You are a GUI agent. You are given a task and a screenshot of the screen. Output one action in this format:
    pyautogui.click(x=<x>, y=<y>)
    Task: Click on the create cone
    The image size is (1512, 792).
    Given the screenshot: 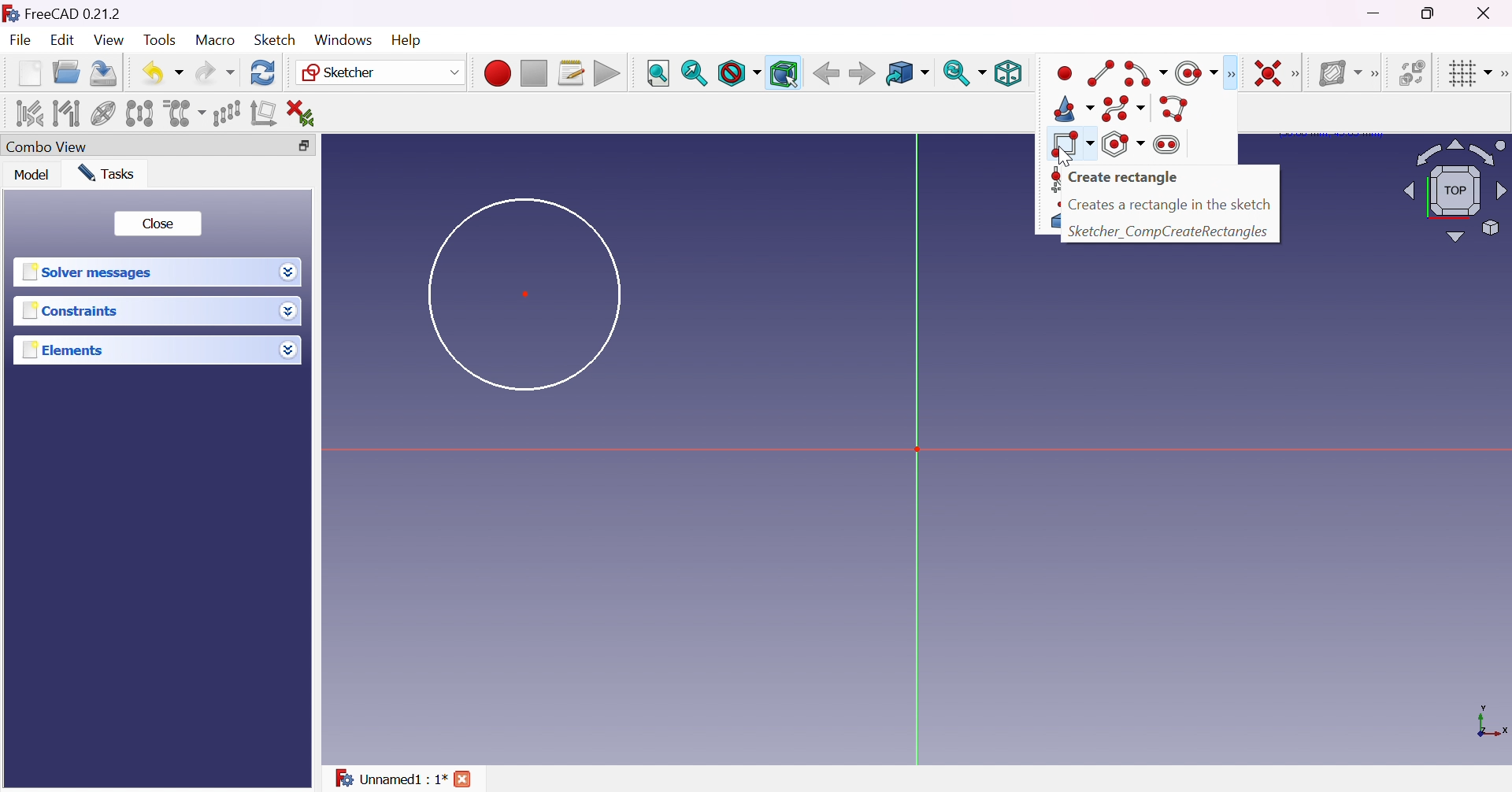 What is the action you would take?
    pyautogui.click(x=1073, y=109)
    